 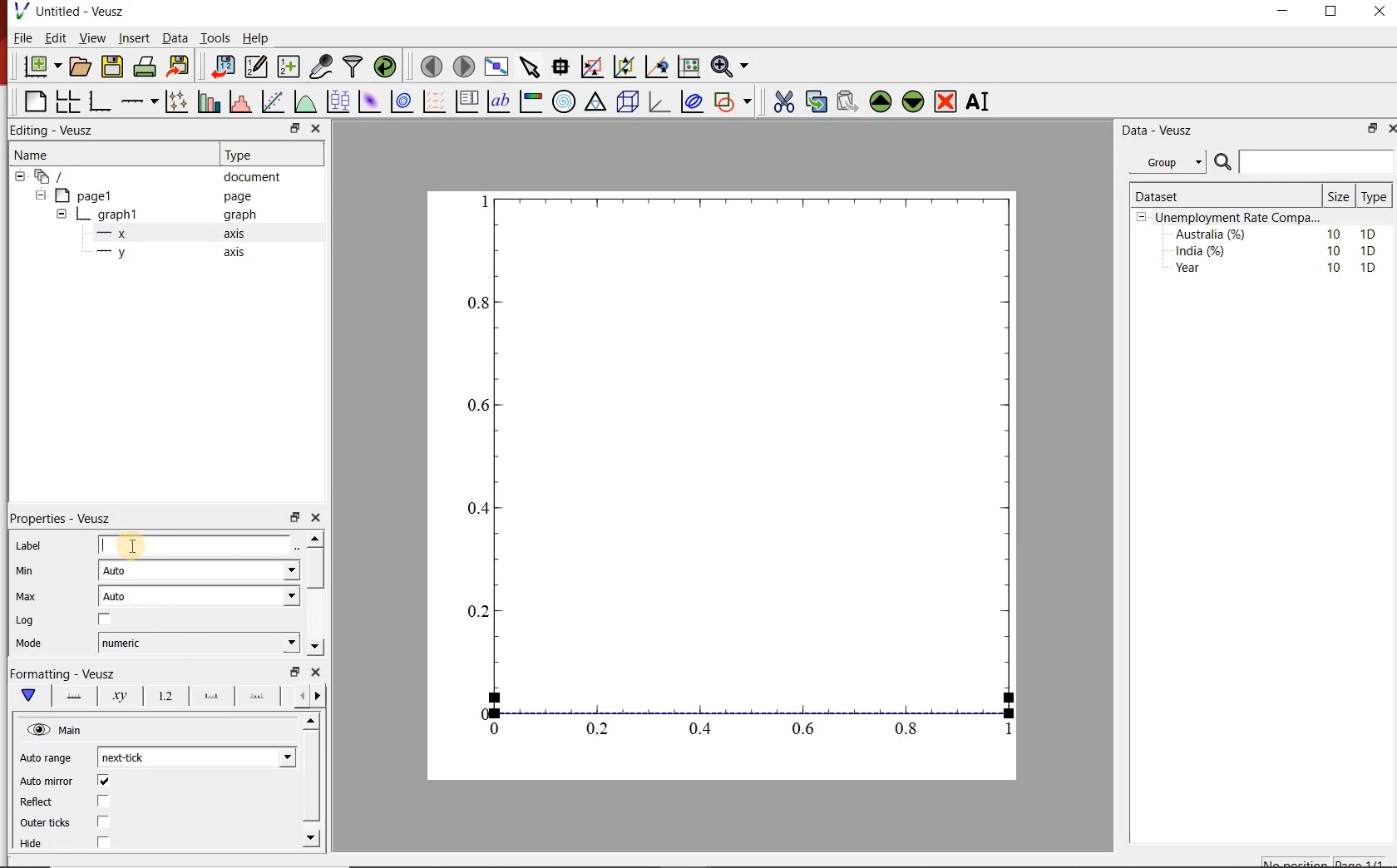 What do you see at coordinates (133, 37) in the screenshot?
I see `Insert` at bounding box center [133, 37].